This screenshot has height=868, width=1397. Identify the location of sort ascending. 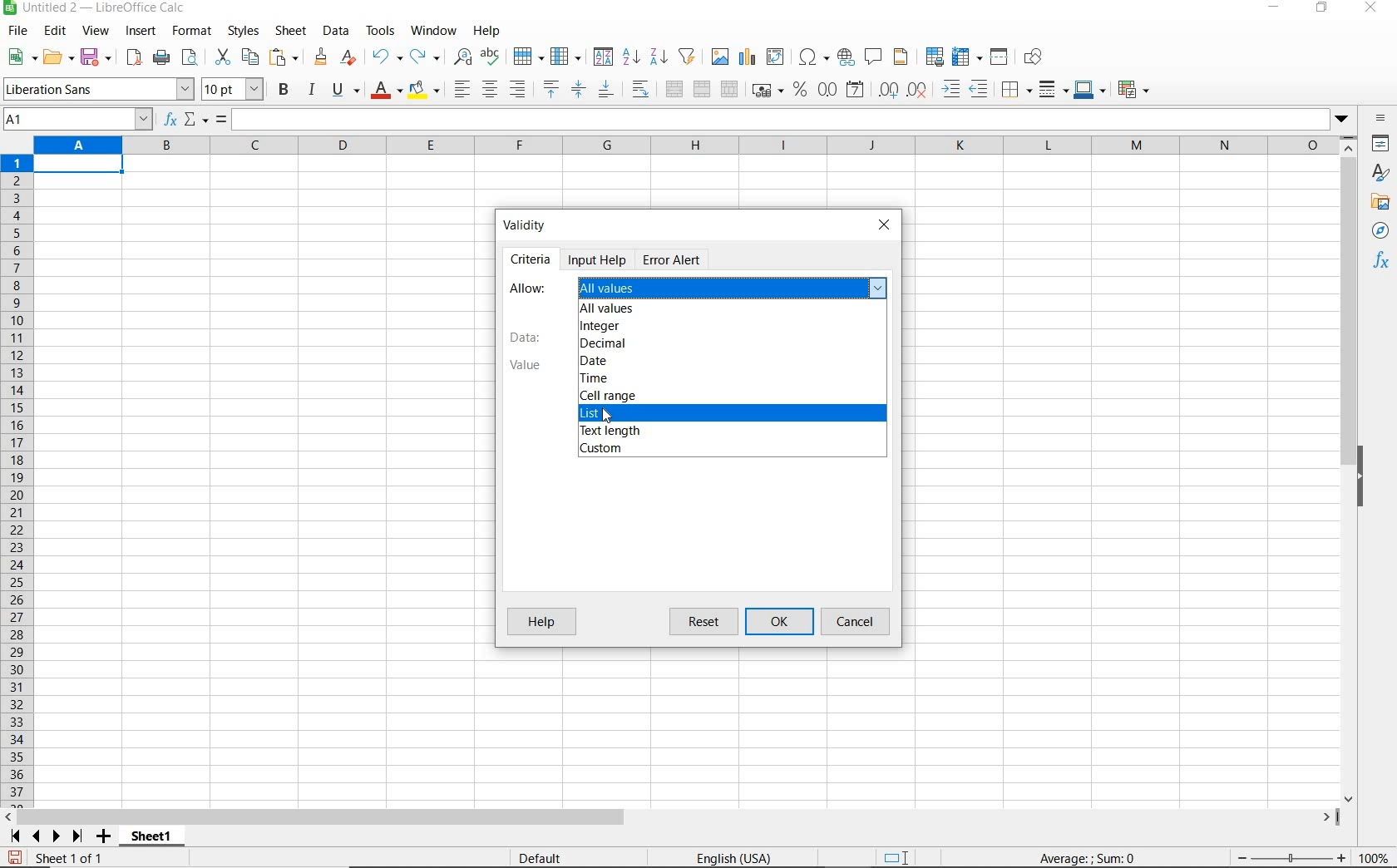
(631, 58).